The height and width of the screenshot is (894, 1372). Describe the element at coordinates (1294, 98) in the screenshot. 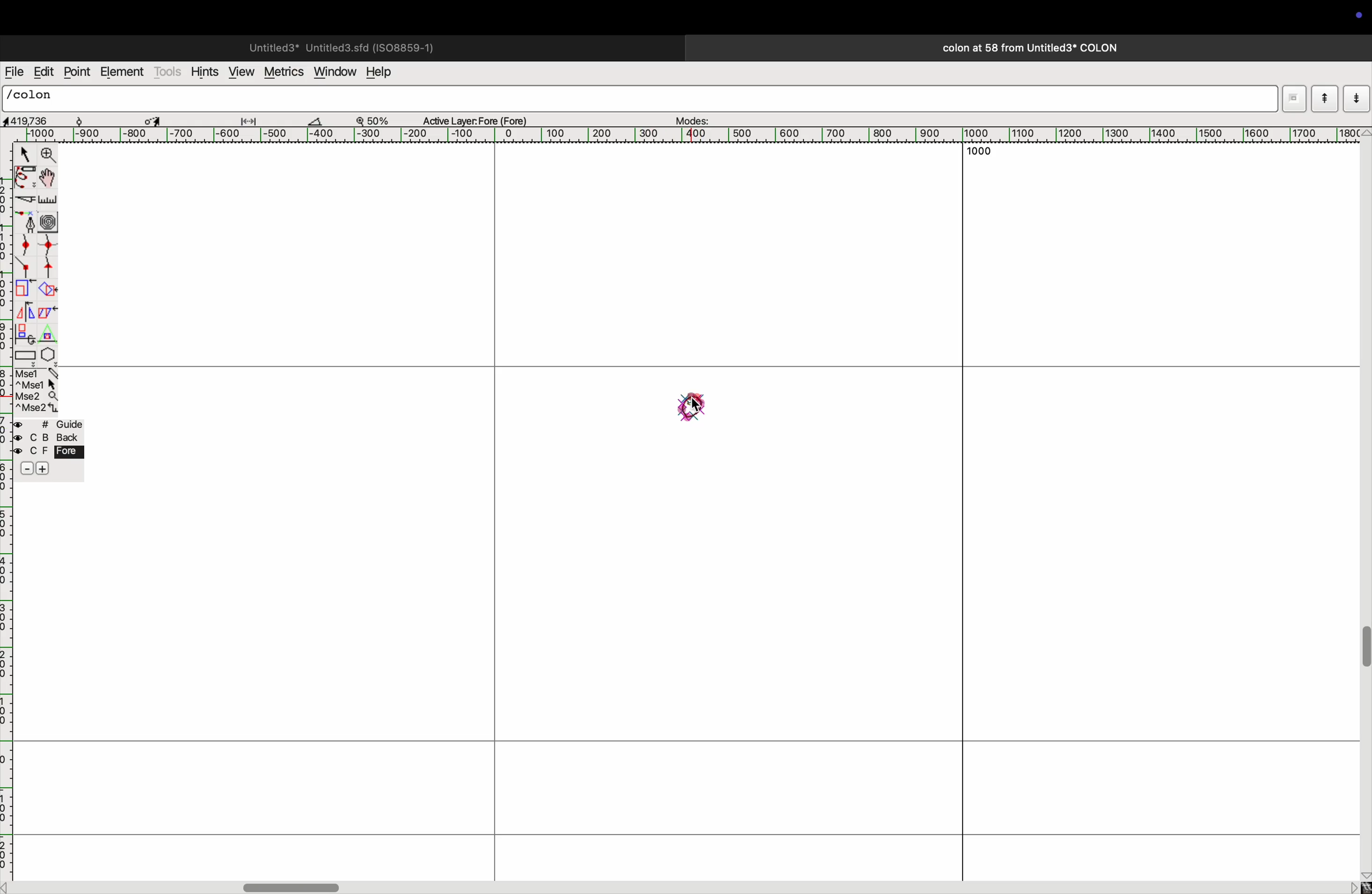

I see `Mode` at that location.